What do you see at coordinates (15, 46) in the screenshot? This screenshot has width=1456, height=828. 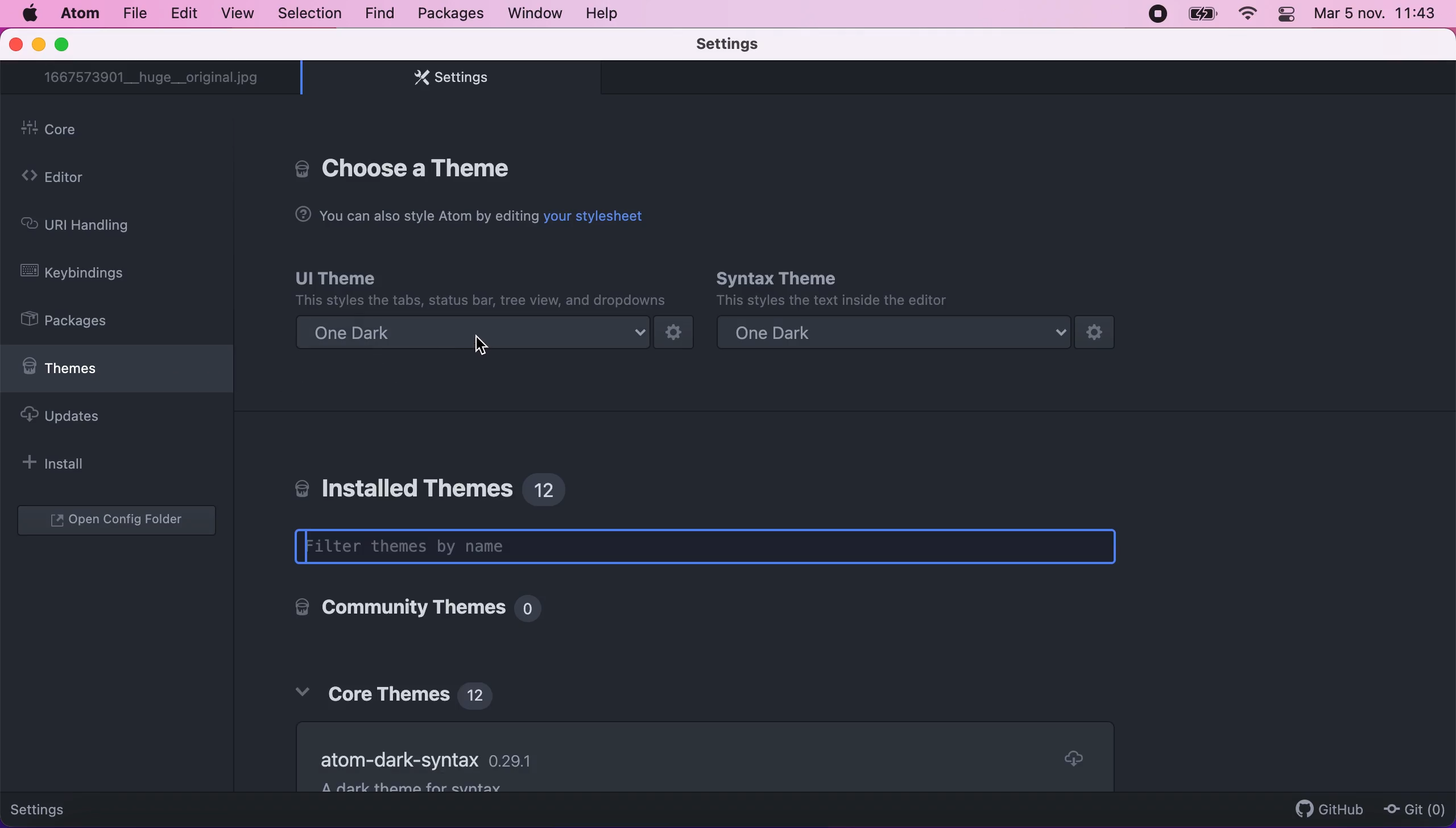 I see `close` at bounding box center [15, 46].